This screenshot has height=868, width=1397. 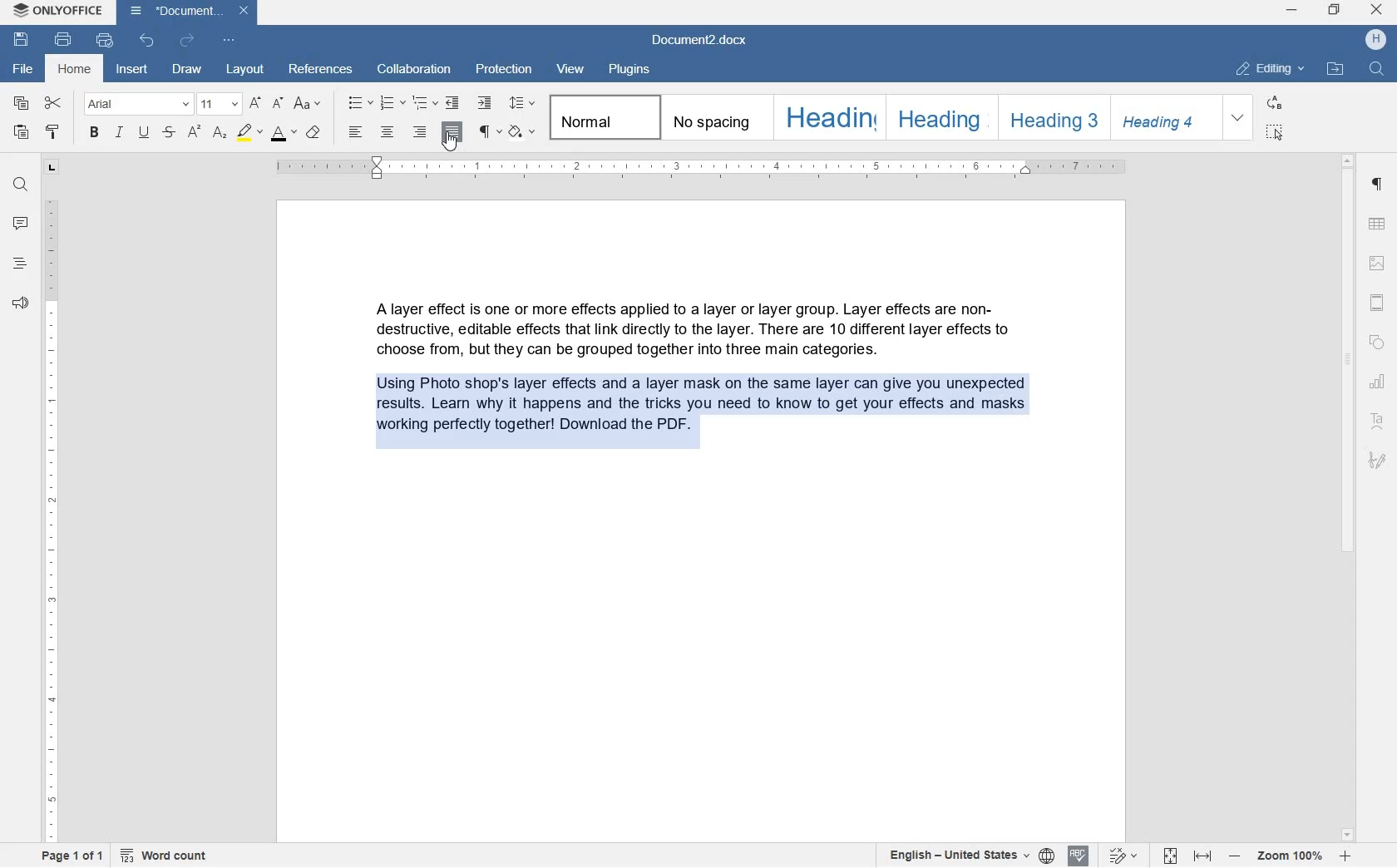 I want to click on RULER, so click(x=49, y=520).